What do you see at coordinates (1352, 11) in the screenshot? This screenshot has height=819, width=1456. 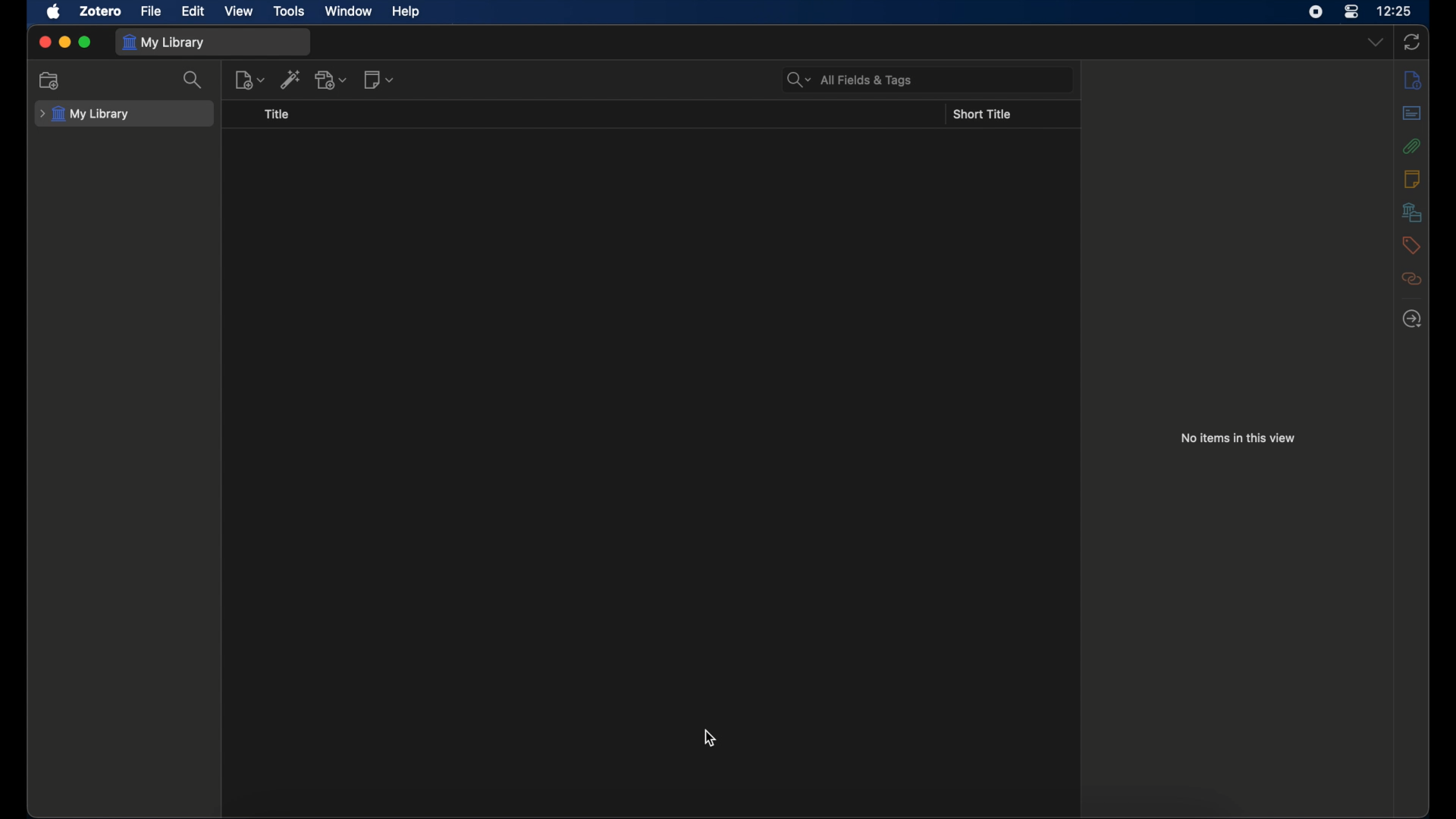 I see `control center` at bounding box center [1352, 11].